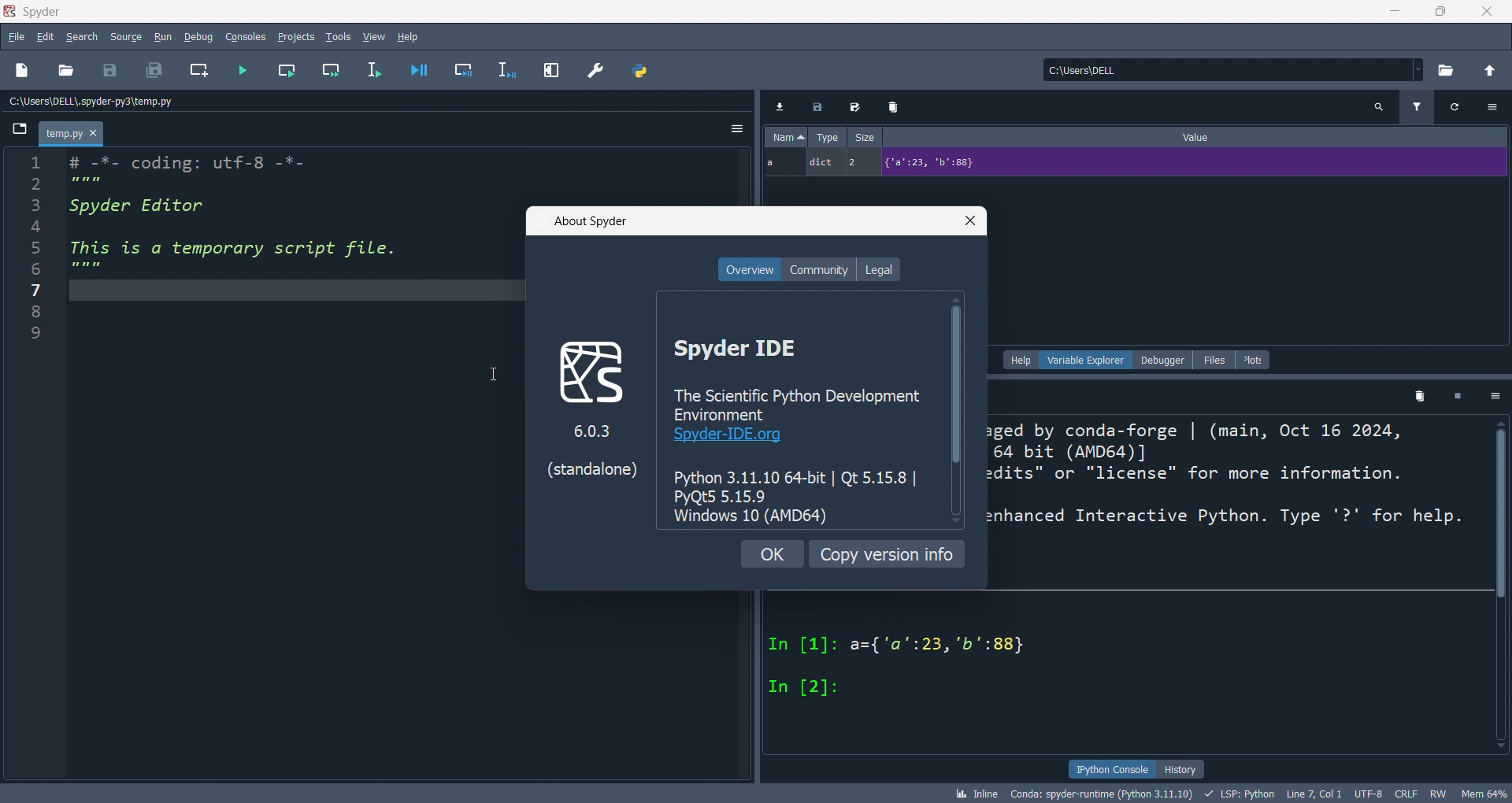  Describe the element at coordinates (162, 38) in the screenshot. I see `run` at that location.